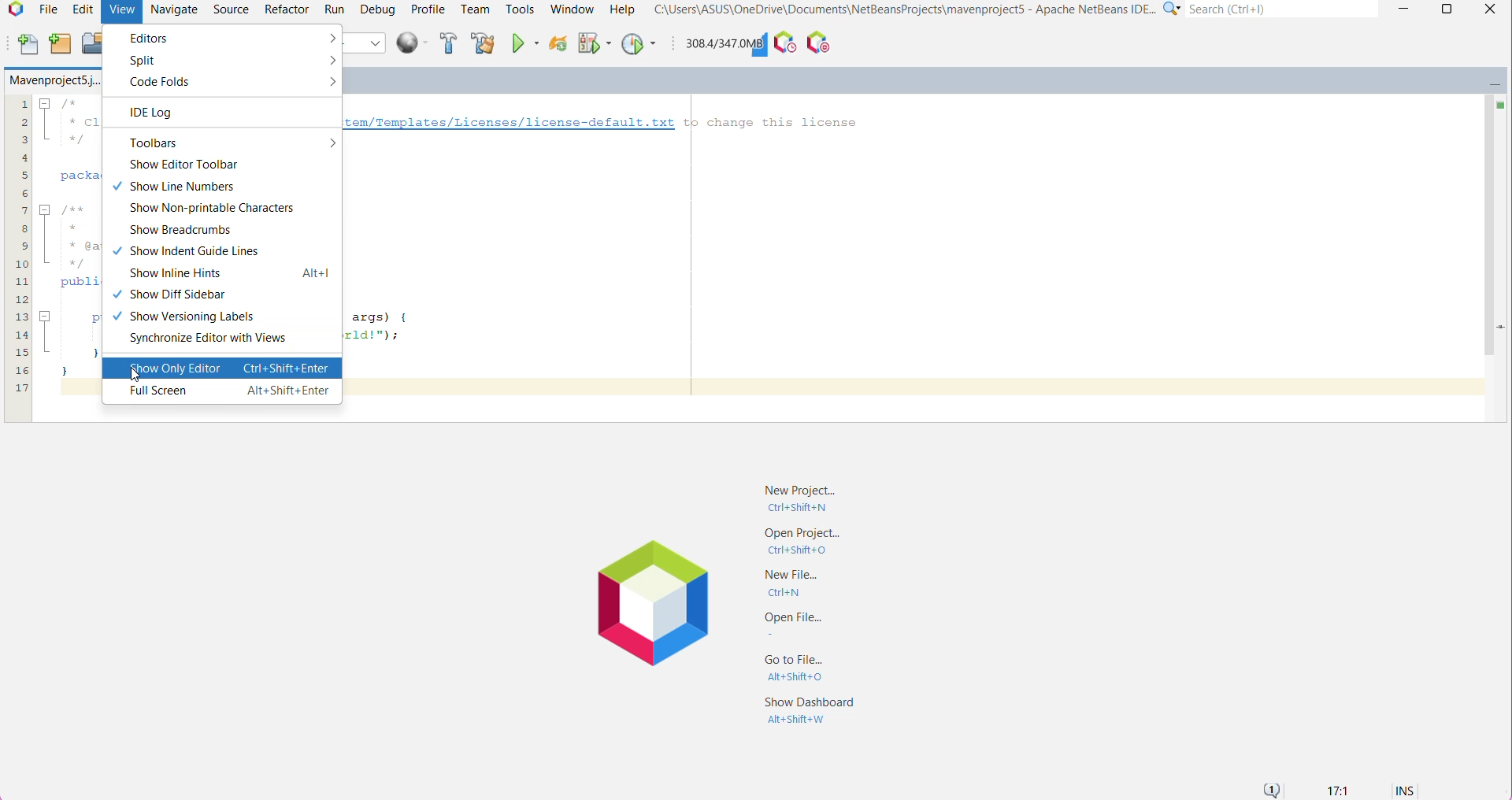 The image size is (1512, 800). What do you see at coordinates (16, 253) in the screenshot?
I see `lines of code` at bounding box center [16, 253].